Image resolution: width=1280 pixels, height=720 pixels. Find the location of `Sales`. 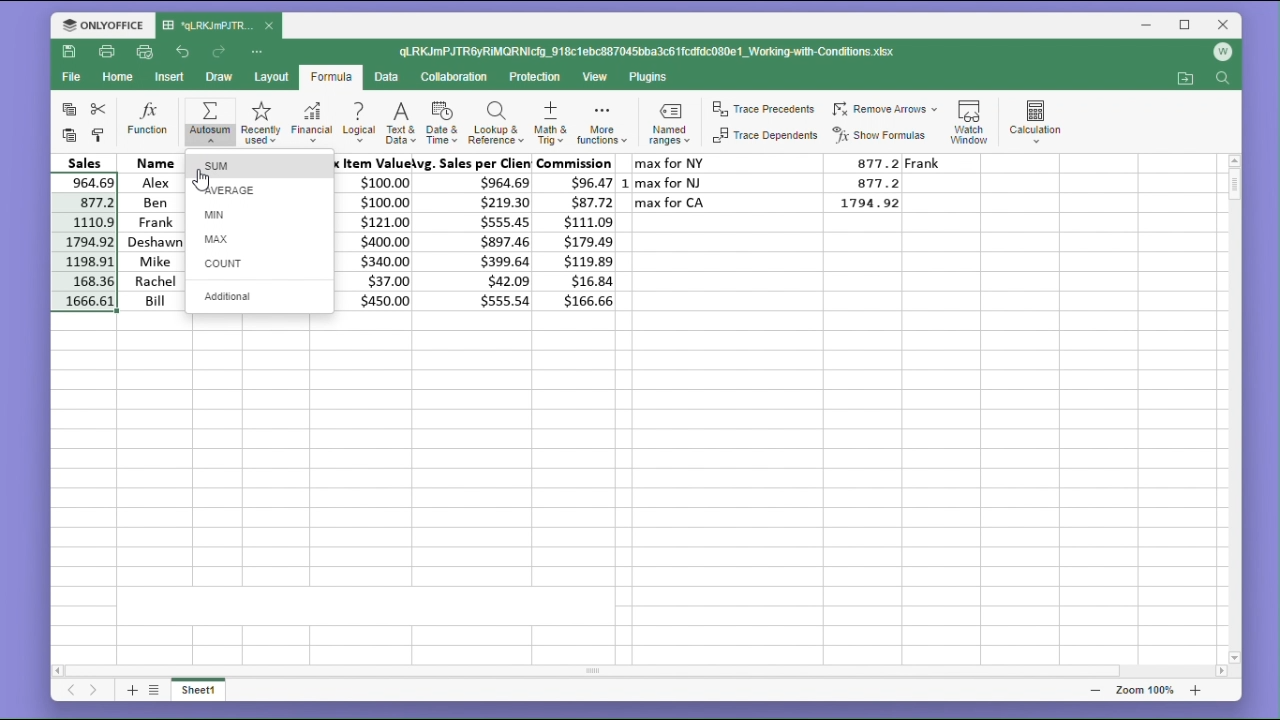

Sales is located at coordinates (85, 162).